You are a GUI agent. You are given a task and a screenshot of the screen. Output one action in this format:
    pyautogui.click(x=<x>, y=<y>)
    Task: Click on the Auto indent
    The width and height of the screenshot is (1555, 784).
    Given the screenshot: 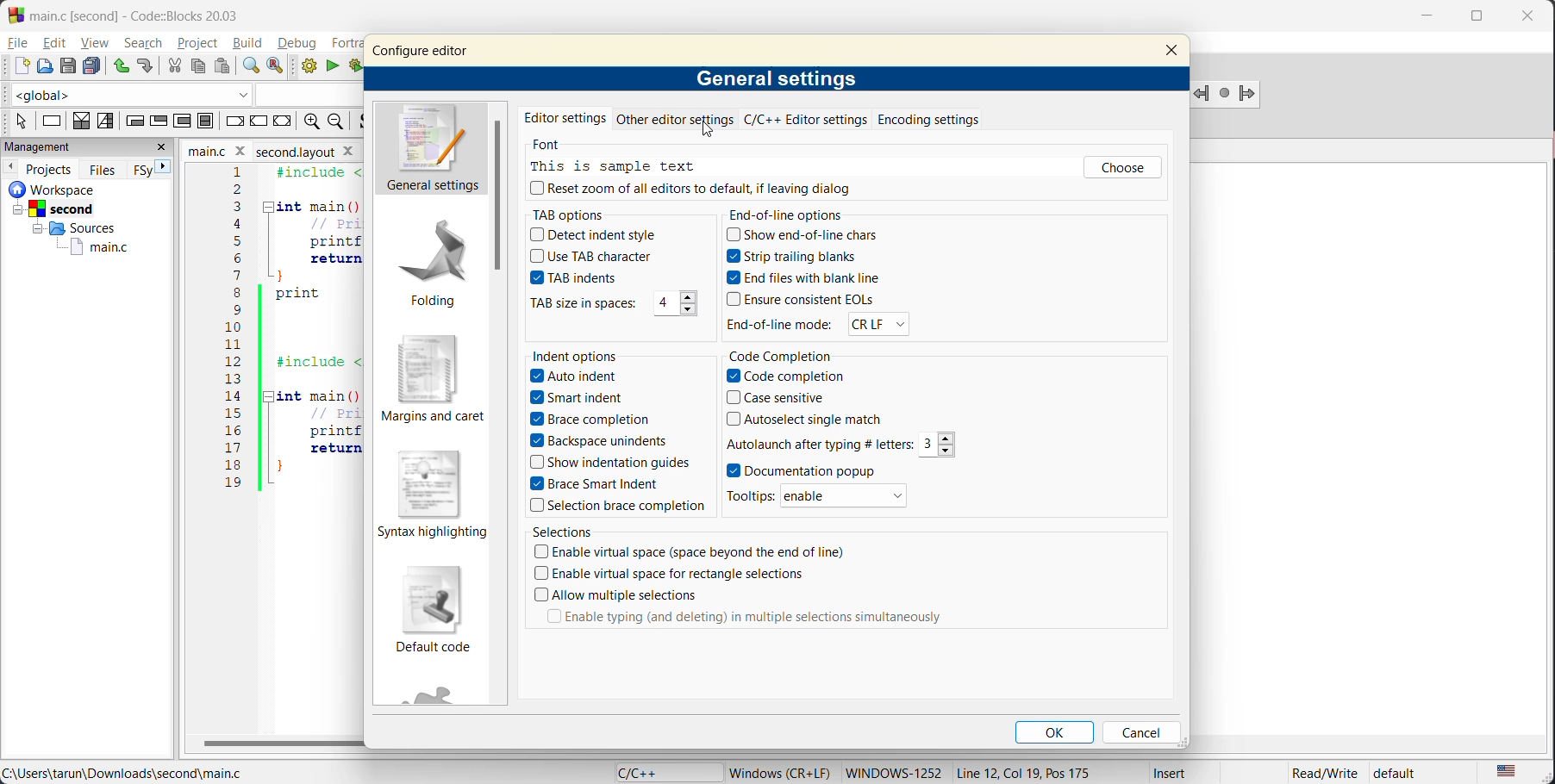 What is the action you would take?
    pyautogui.click(x=598, y=376)
    